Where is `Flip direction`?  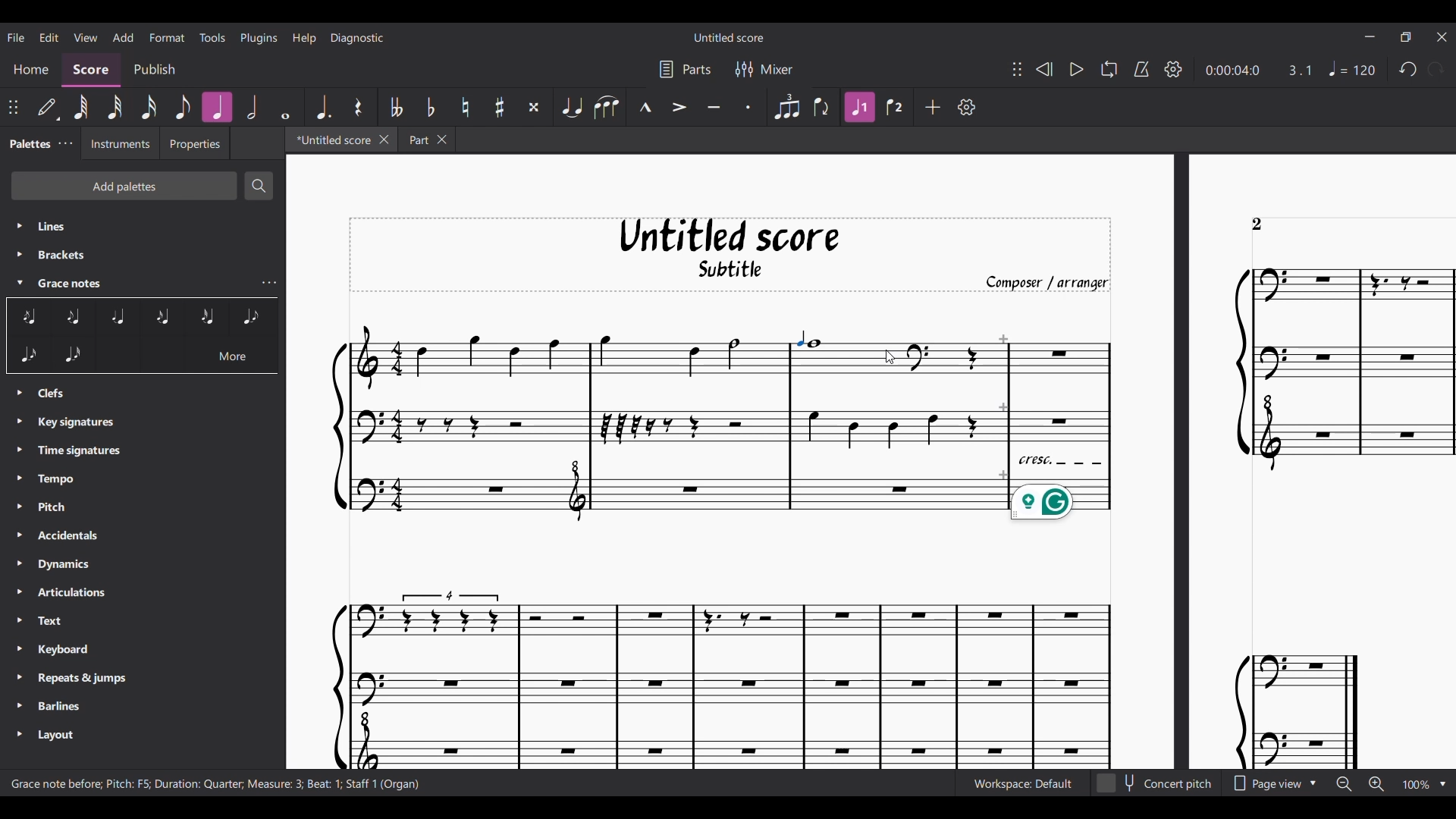
Flip direction is located at coordinates (822, 107).